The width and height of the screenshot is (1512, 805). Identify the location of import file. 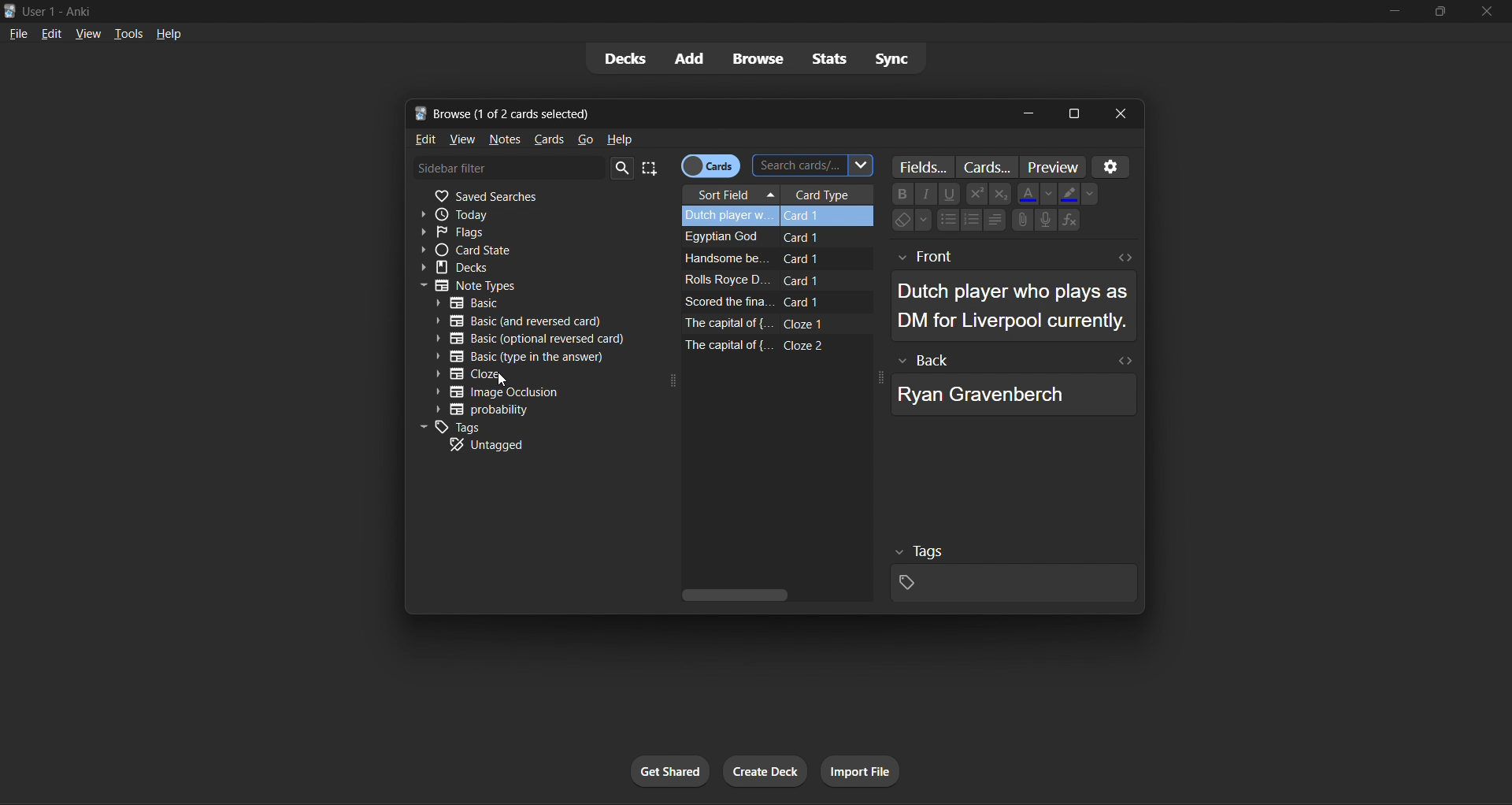
(862, 768).